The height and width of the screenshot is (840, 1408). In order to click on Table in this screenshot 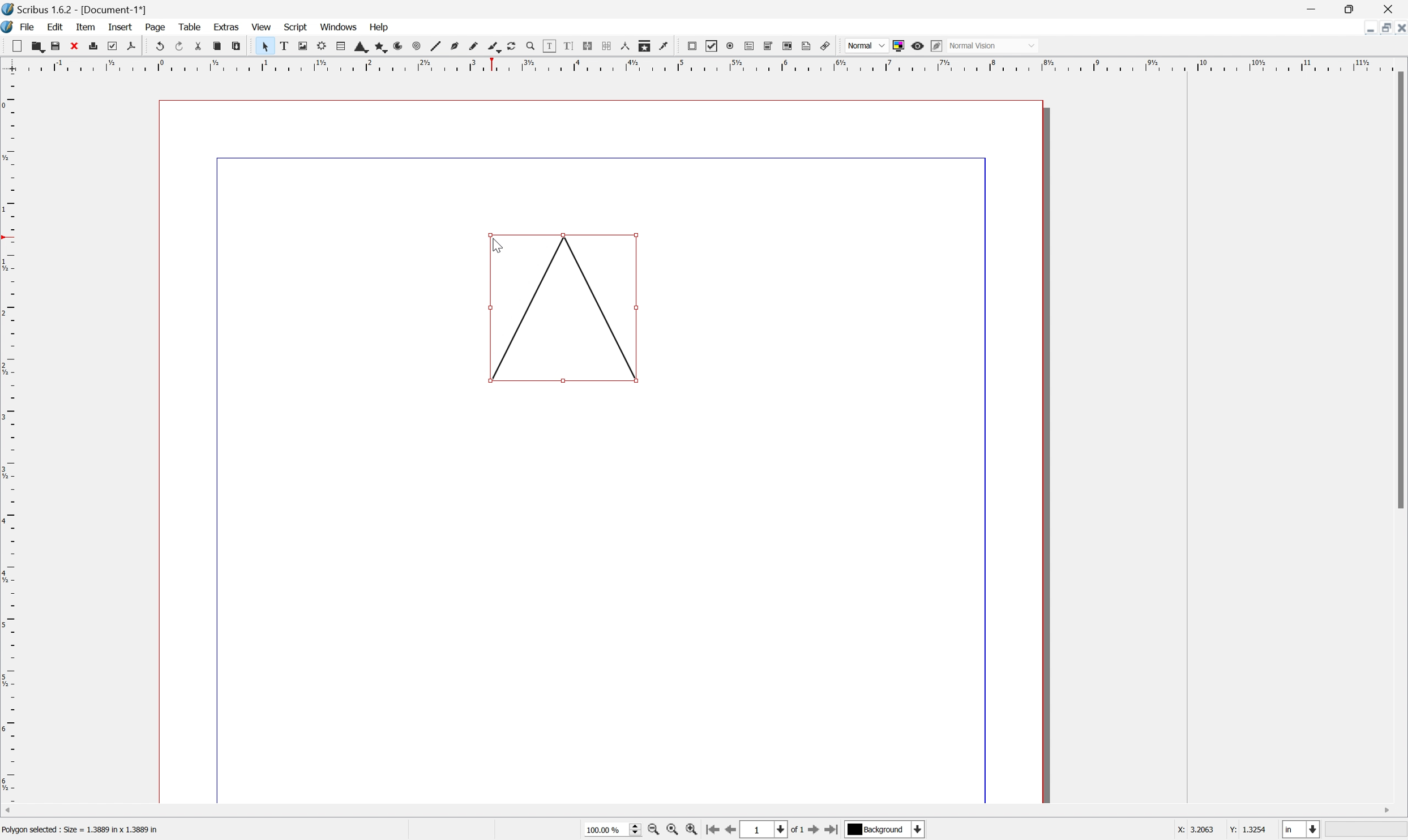, I will do `click(190, 27)`.